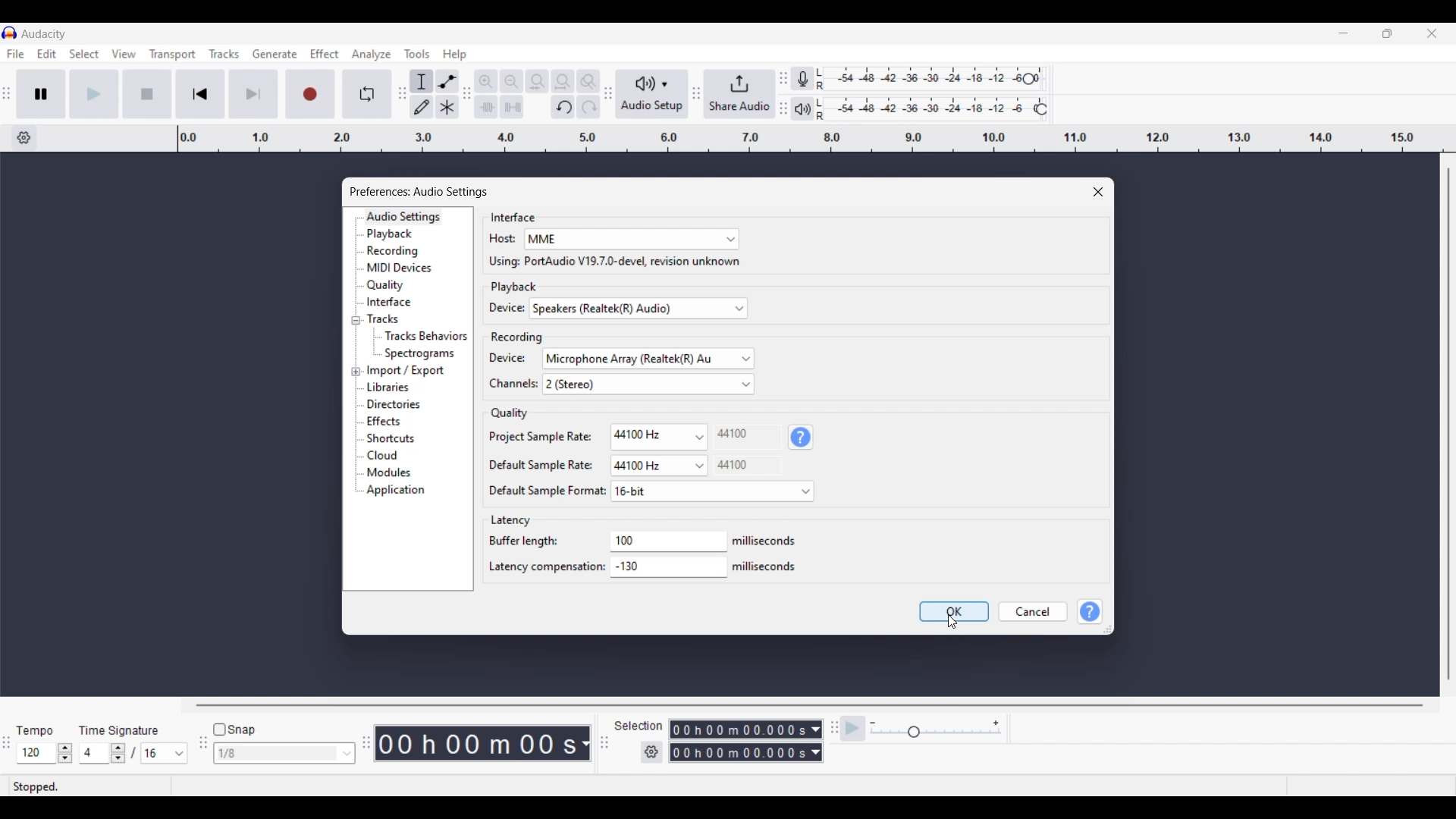 This screenshot has width=1456, height=819. I want to click on Text, so click(766, 541).